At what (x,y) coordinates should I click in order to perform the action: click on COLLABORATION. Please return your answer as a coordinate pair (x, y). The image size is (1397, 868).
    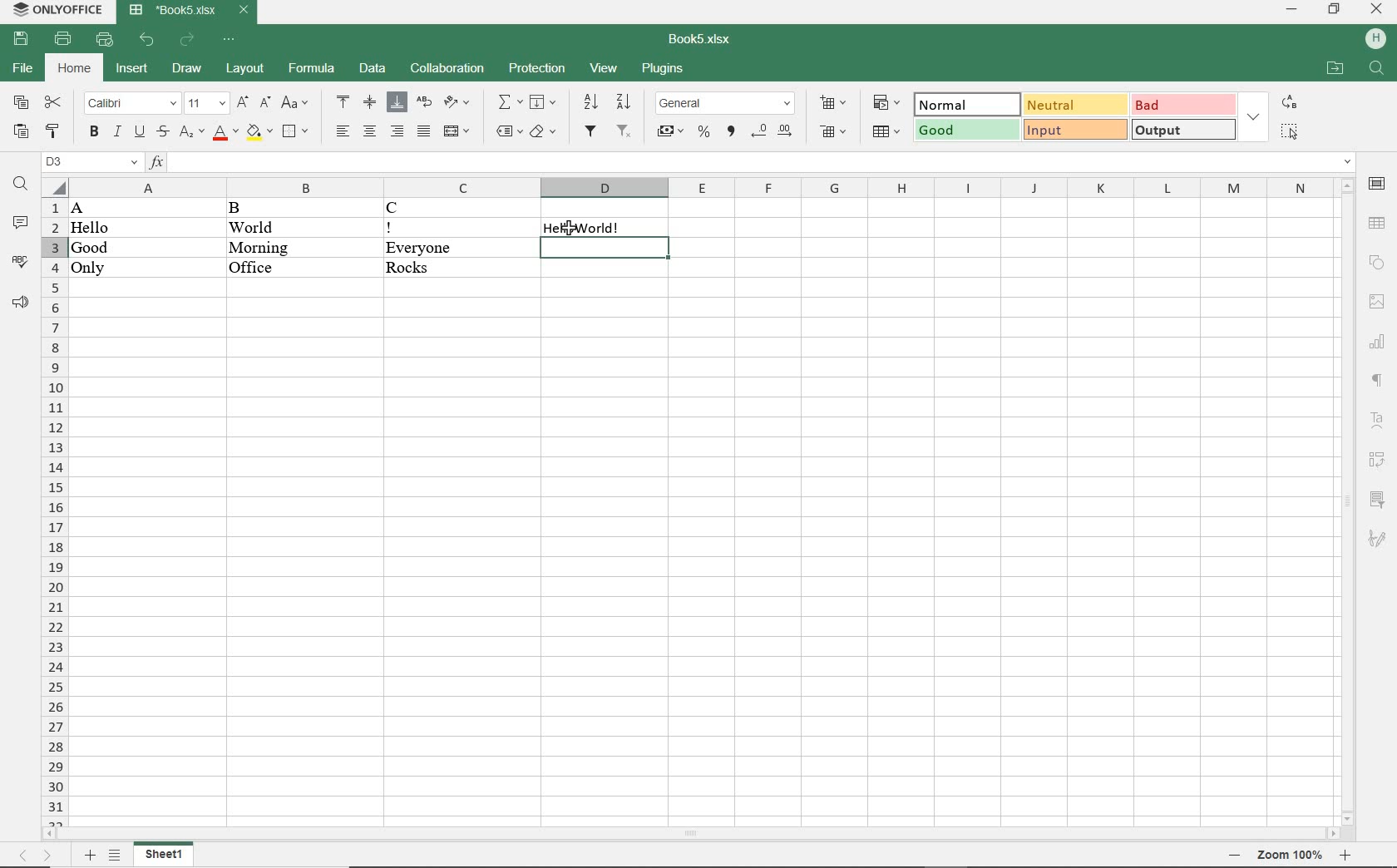
    Looking at the image, I should click on (446, 68).